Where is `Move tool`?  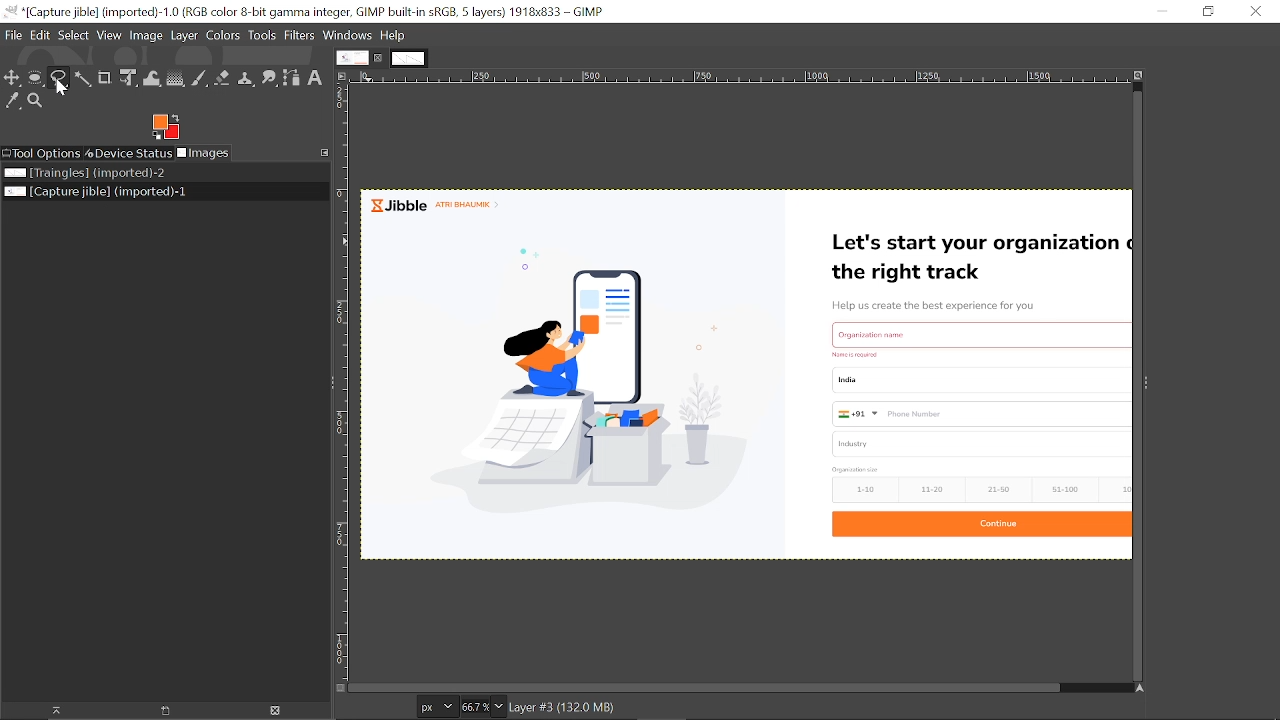
Move tool is located at coordinates (13, 77).